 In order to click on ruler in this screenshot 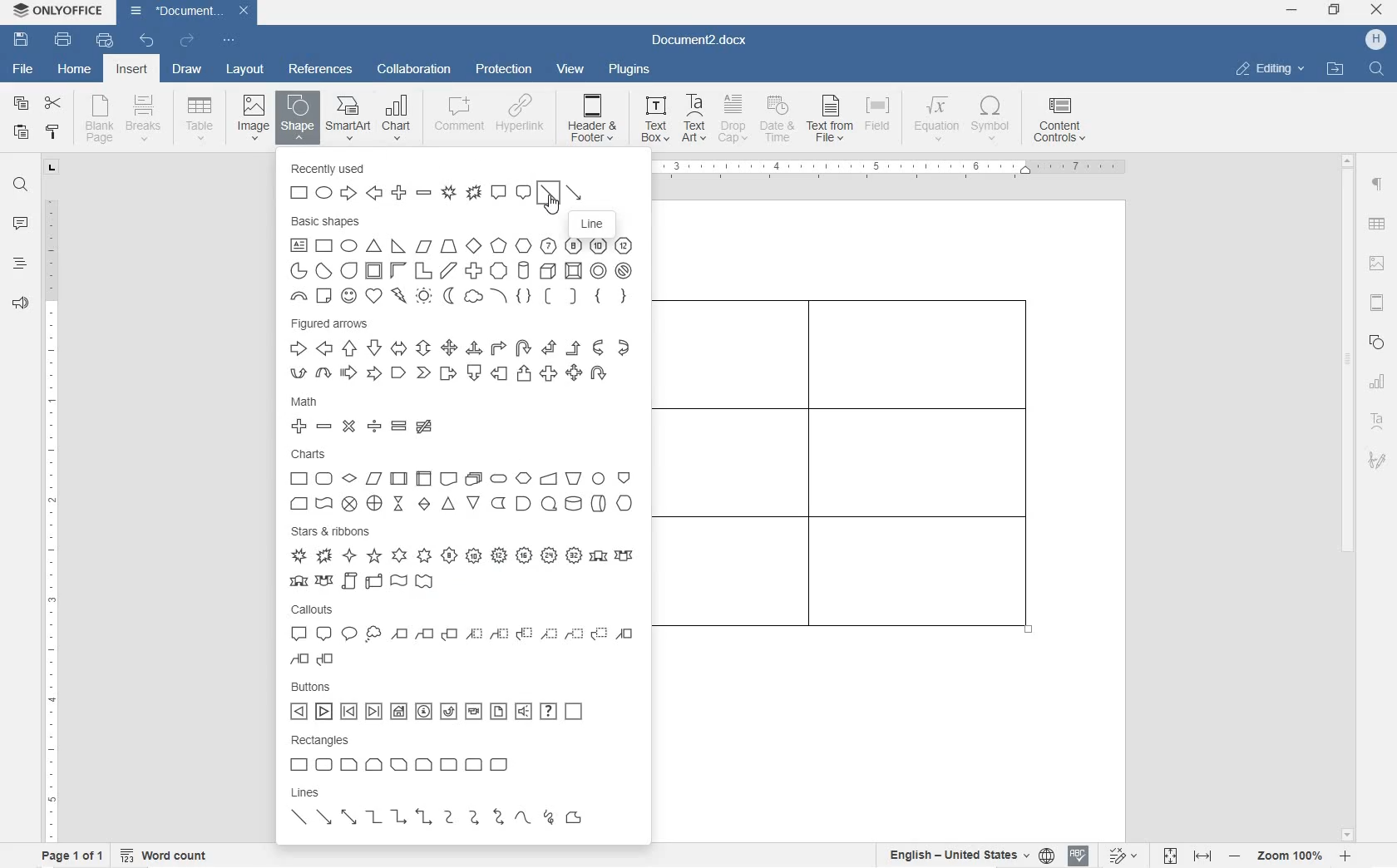, I will do `click(51, 515)`.